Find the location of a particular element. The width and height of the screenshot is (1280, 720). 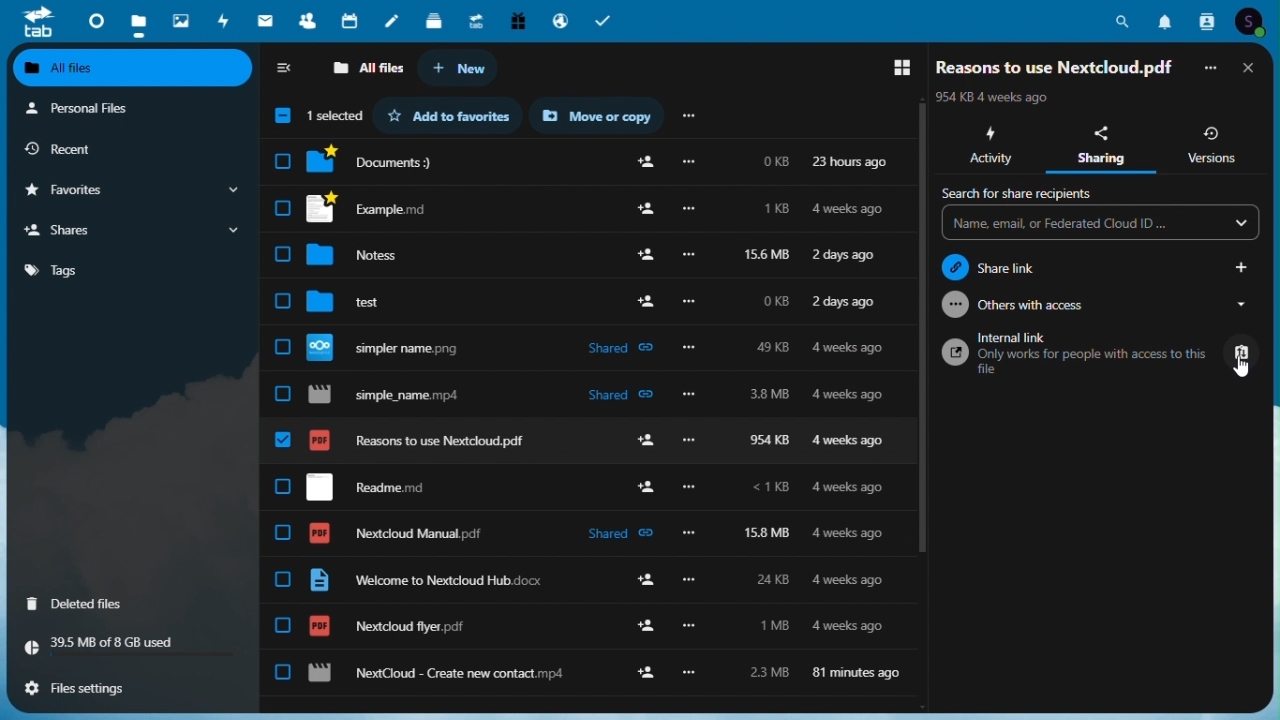

shared is located at coordinates (616, 395).